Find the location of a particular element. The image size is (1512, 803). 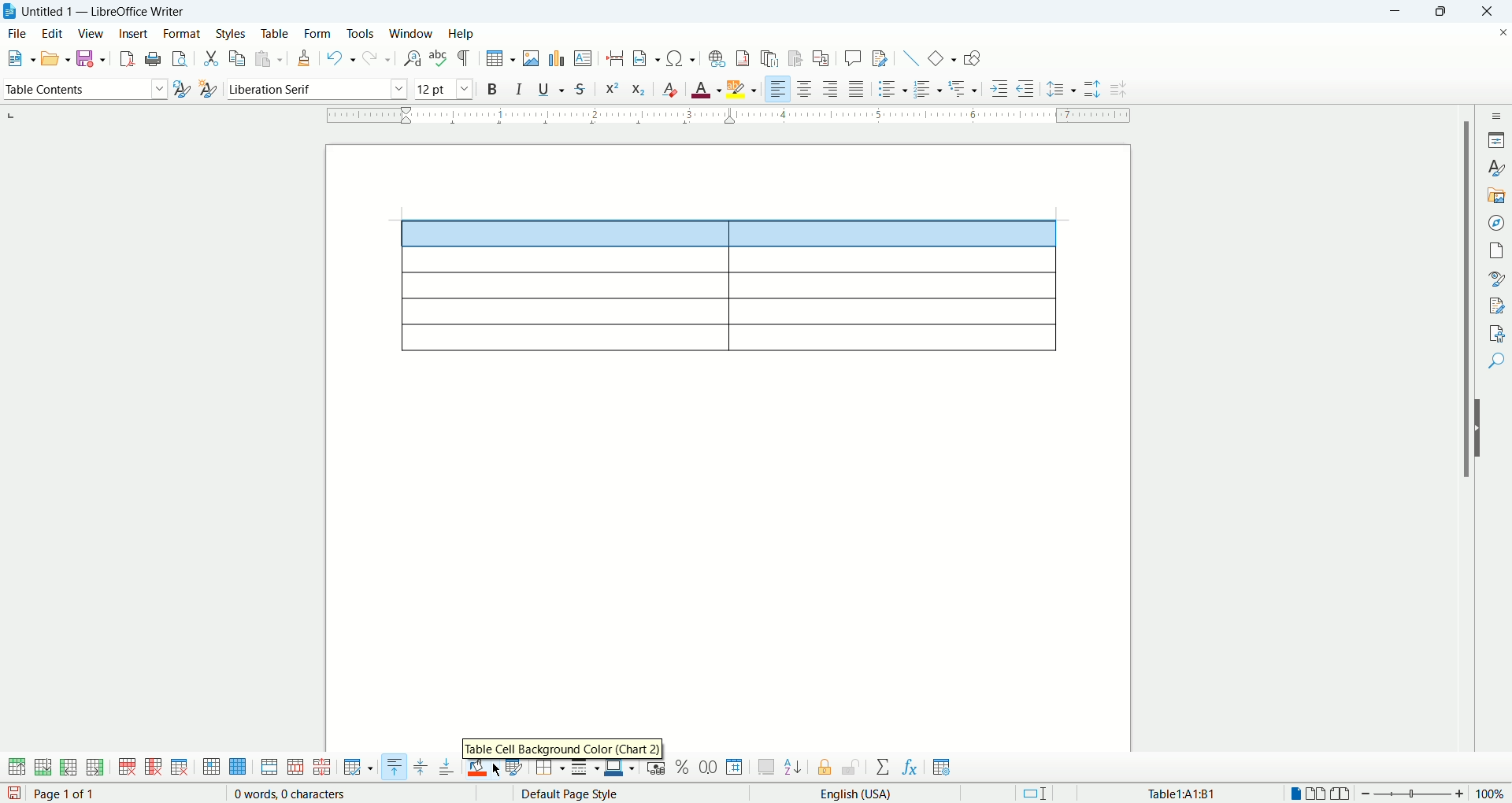

zoom percent is located at coordinates (1492, 793).